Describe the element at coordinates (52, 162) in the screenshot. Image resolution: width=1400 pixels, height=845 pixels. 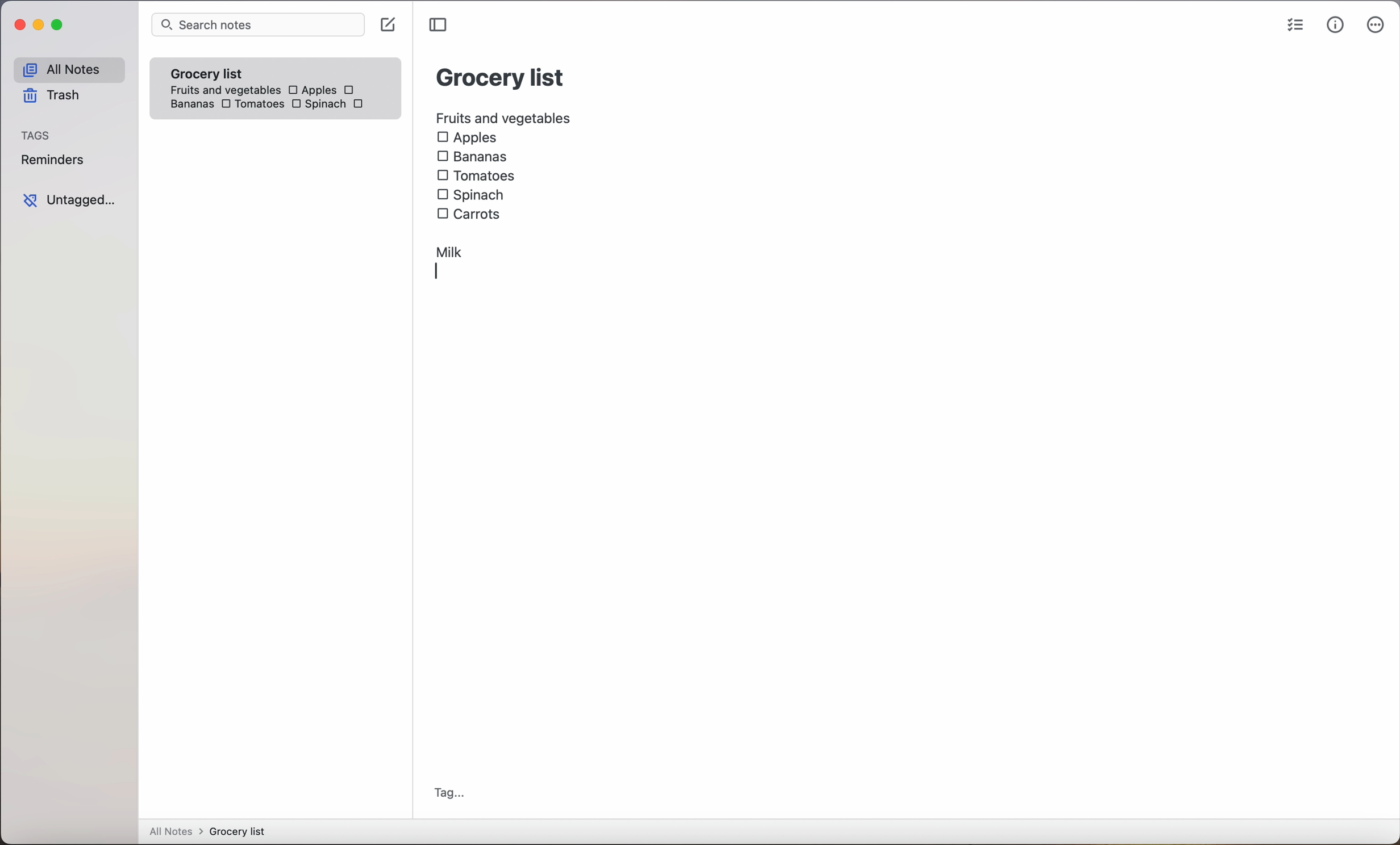
I see `reminders` at that location.